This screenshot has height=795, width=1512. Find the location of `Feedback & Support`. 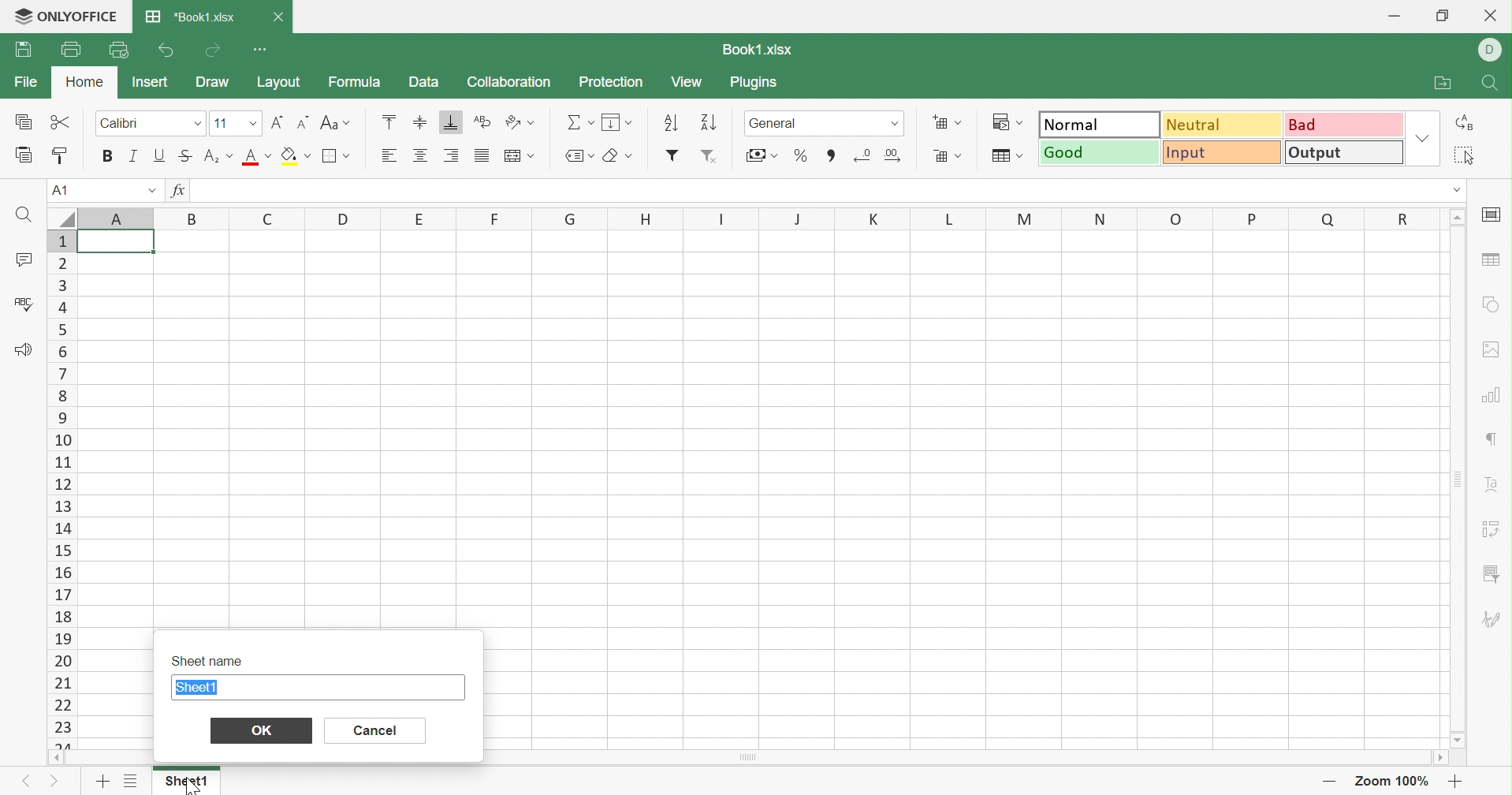

Feedback & Support is located at coordinates (24, 349).